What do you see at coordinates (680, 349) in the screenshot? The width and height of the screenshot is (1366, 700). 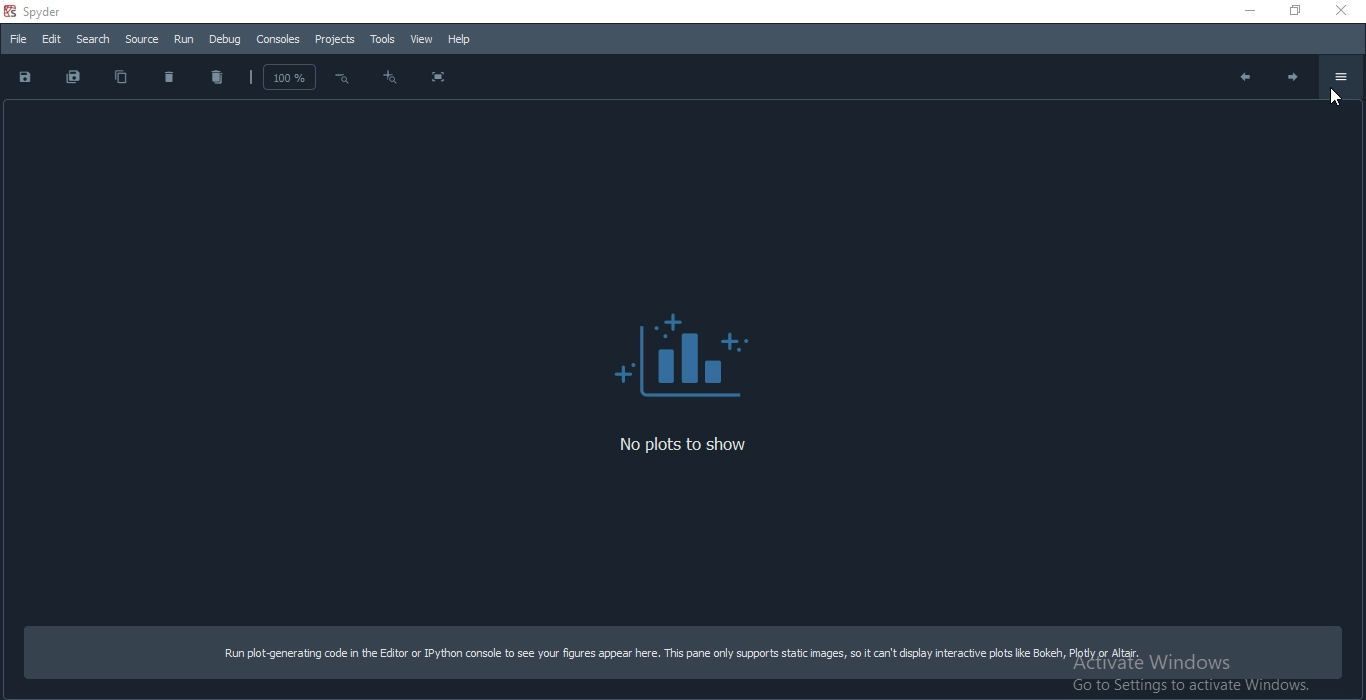 I see `image` at bounding box center [680, 349].